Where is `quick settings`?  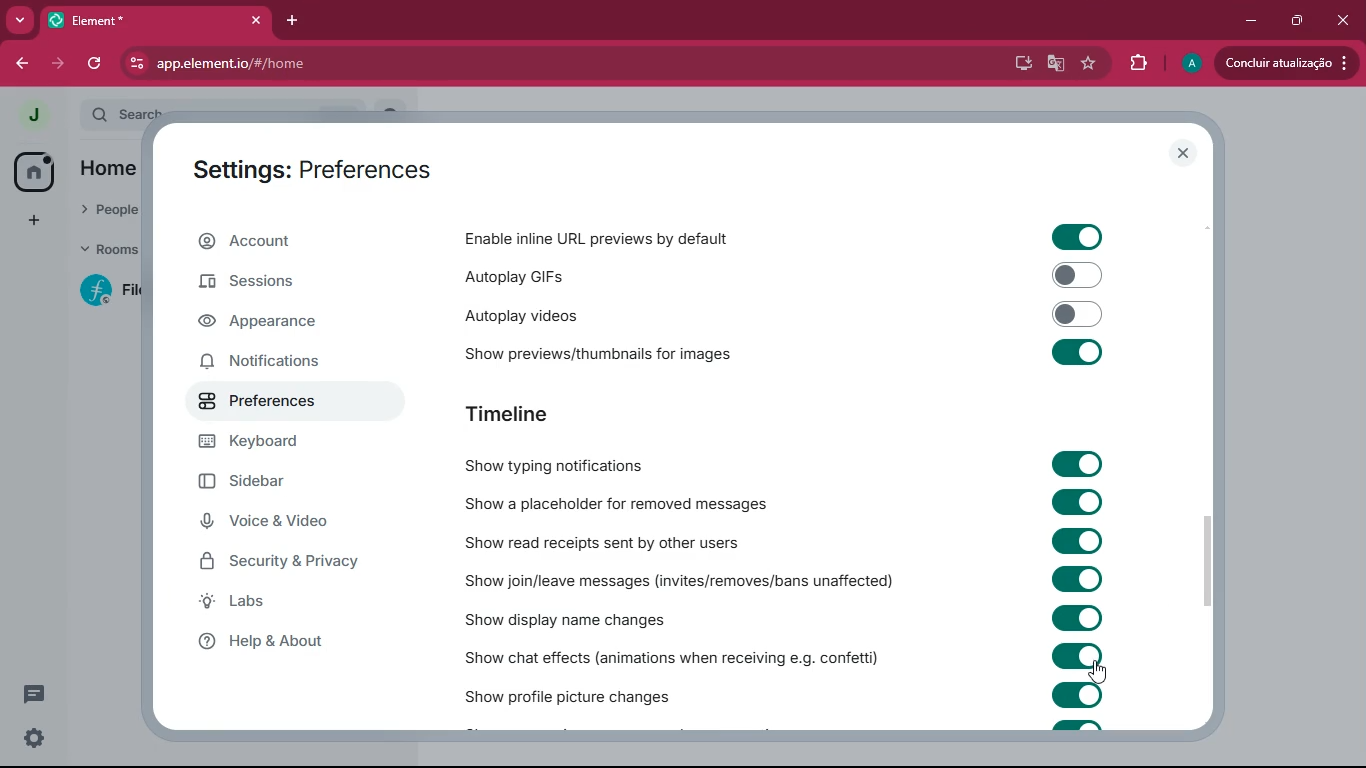 quick settings is located at coordinates (34, 737).